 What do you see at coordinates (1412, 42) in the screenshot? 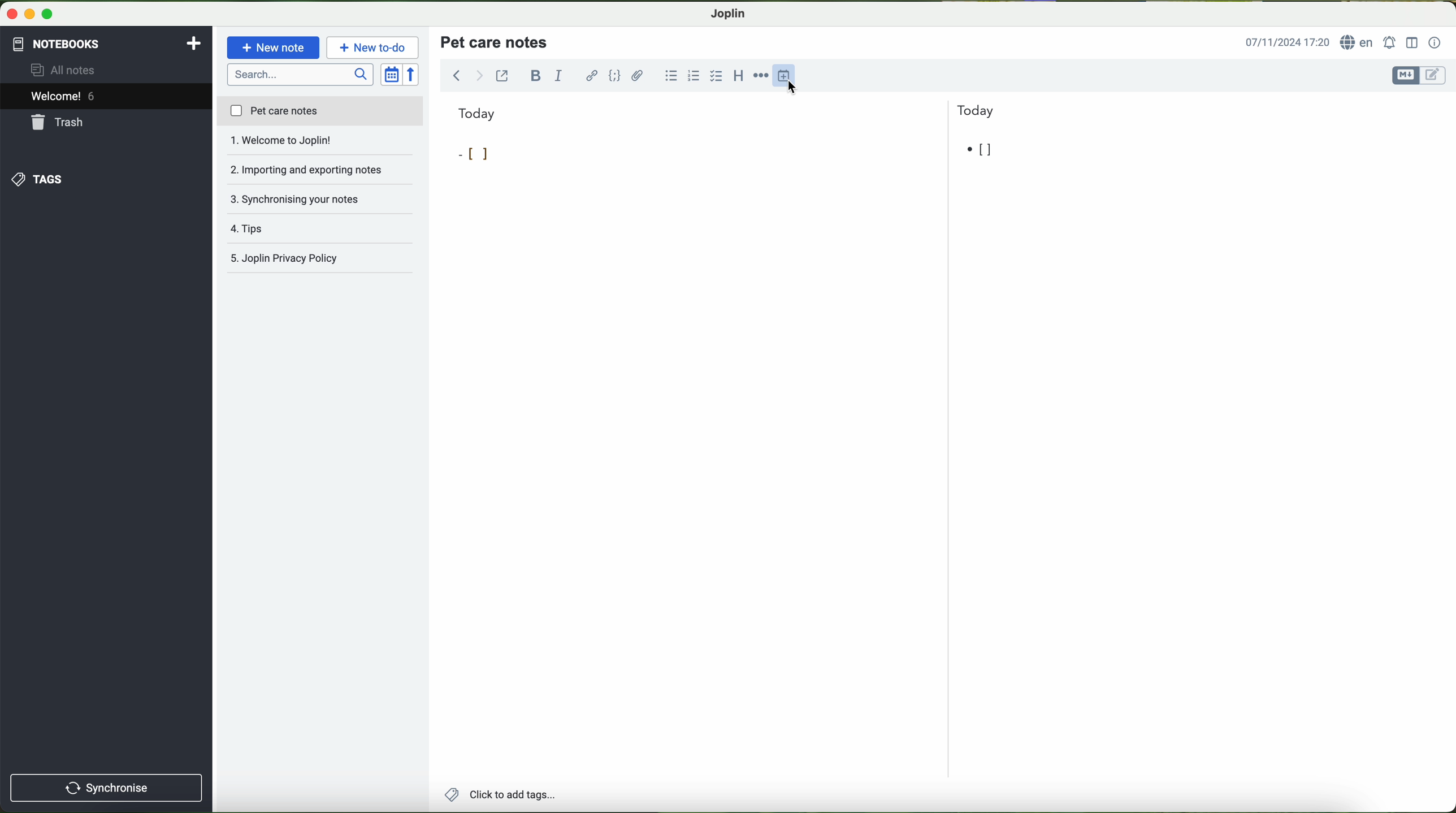
I see `toggle editor layout` at bounding box center [1412, 42].